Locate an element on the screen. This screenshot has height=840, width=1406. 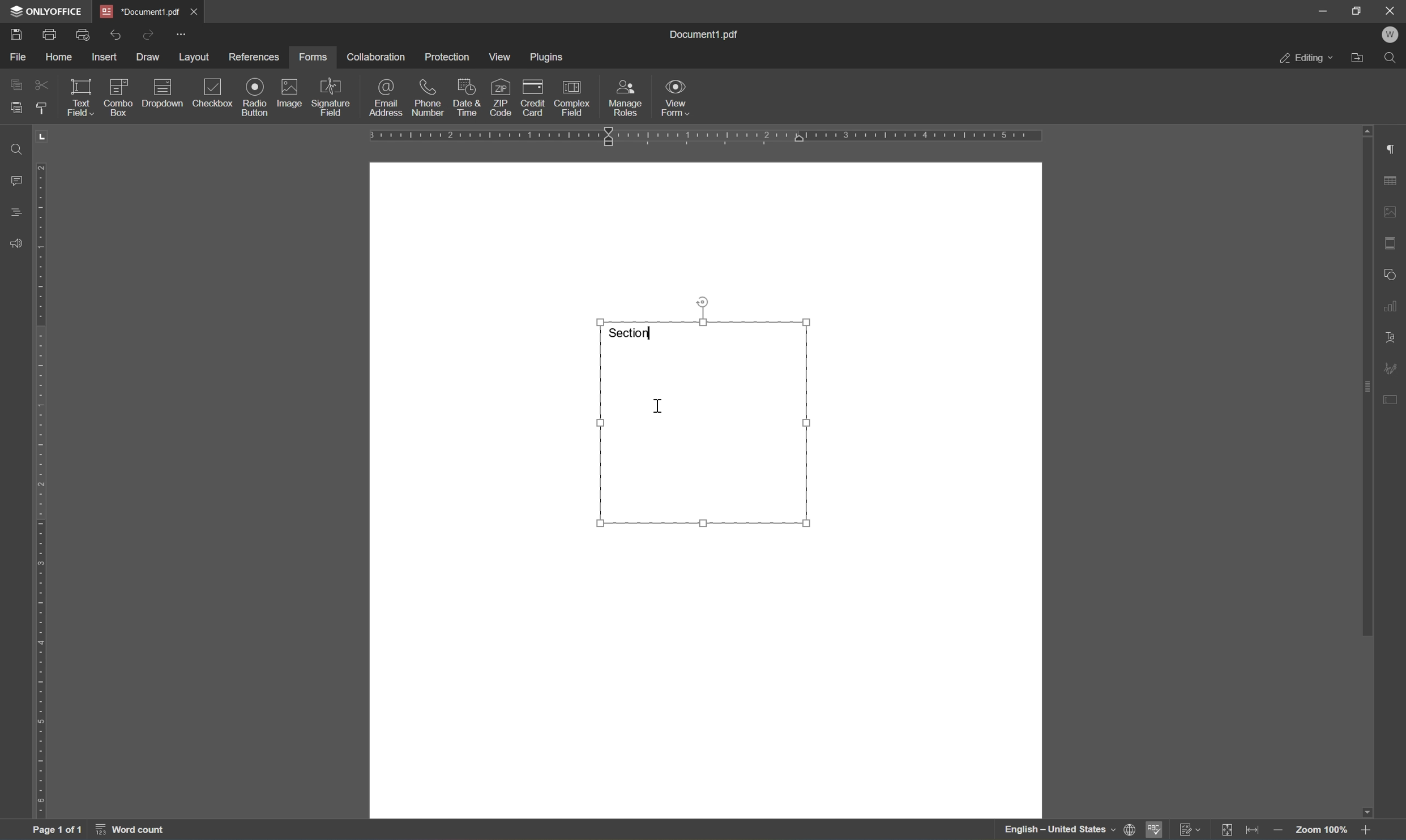
customize quick access toolbar is located at coordinates (183, 33).